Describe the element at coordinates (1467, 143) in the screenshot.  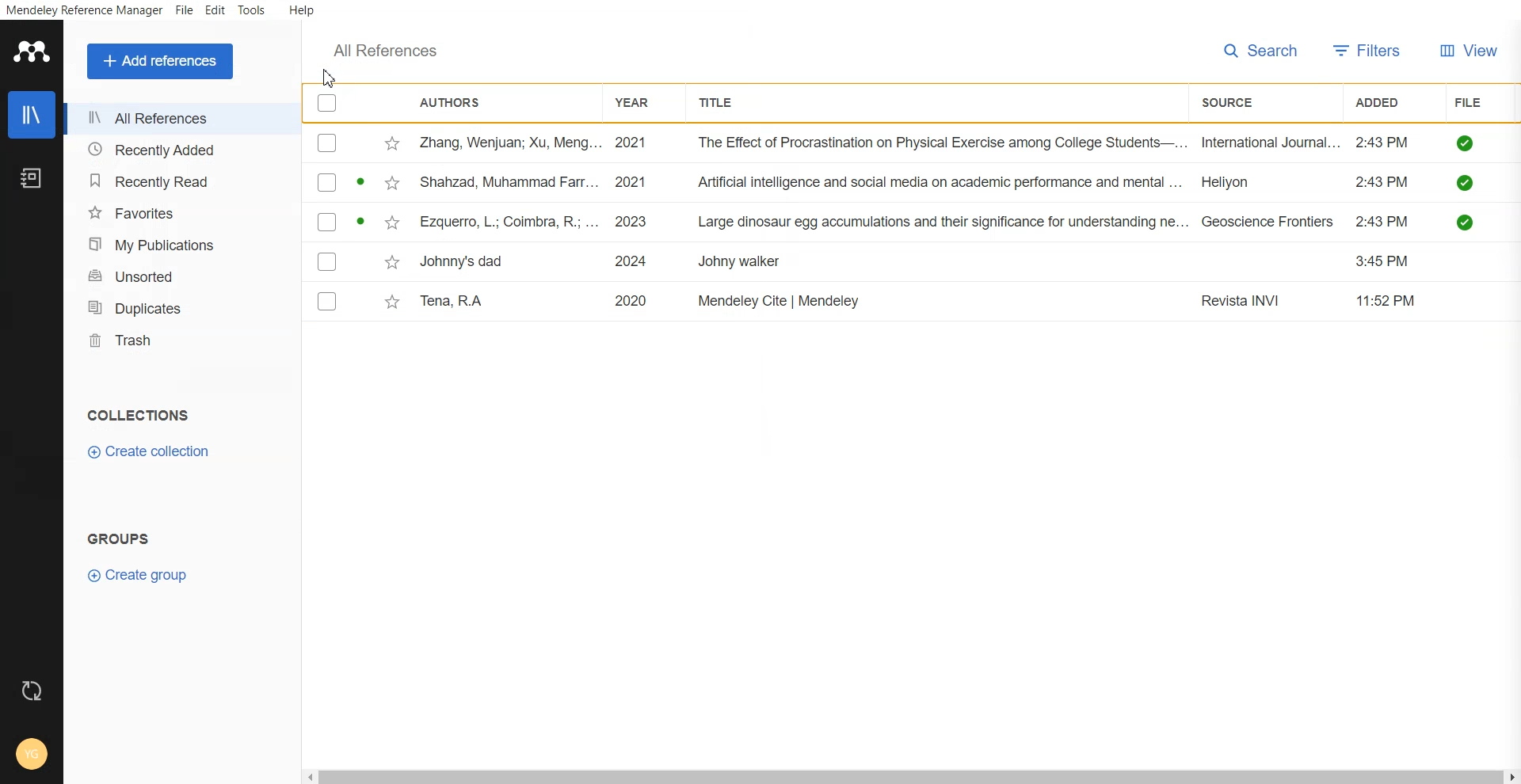
I see `saved` at that location.